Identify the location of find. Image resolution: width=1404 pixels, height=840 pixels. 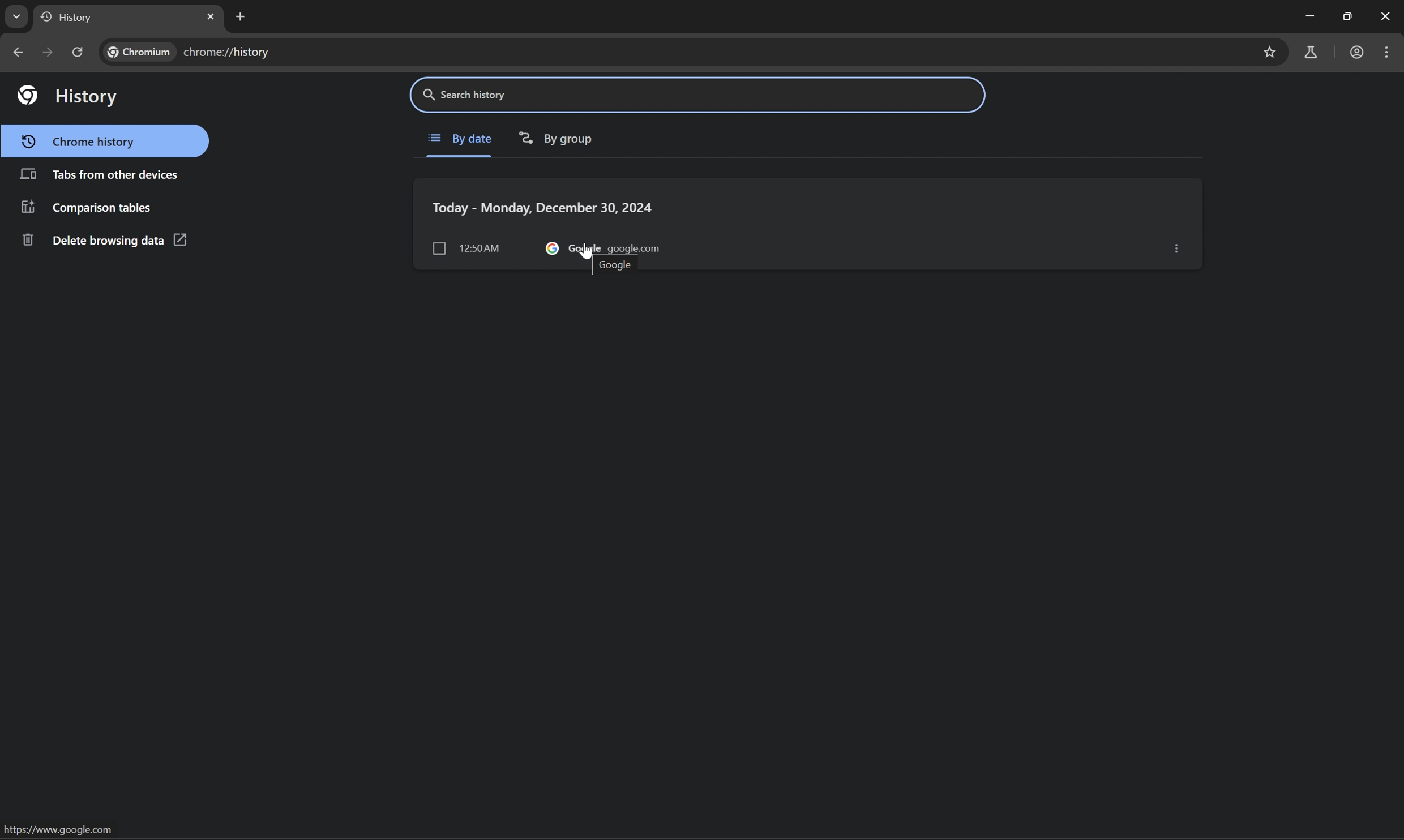
(112, 53).